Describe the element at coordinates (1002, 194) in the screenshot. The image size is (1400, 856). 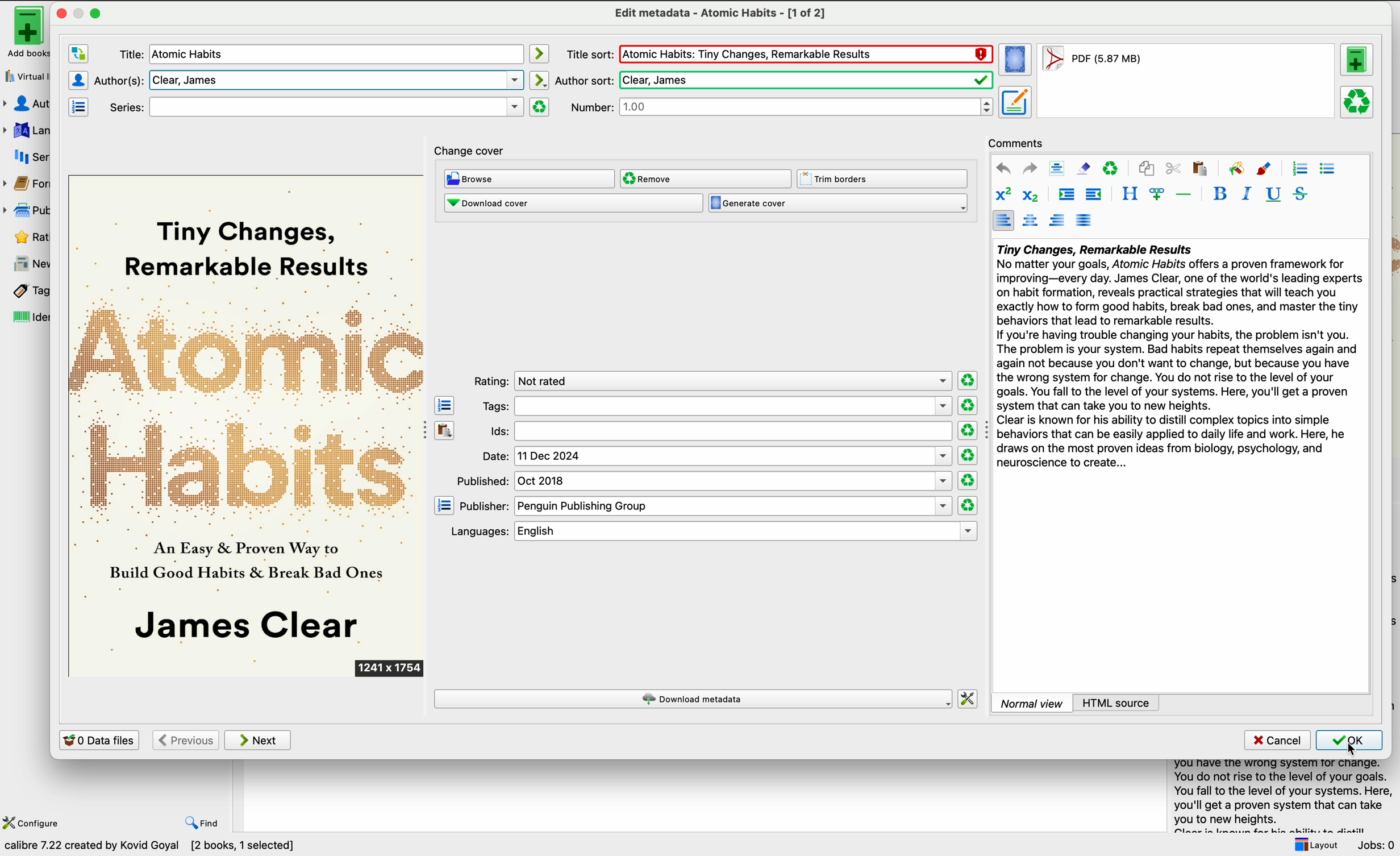
I see `superscript` at that location.